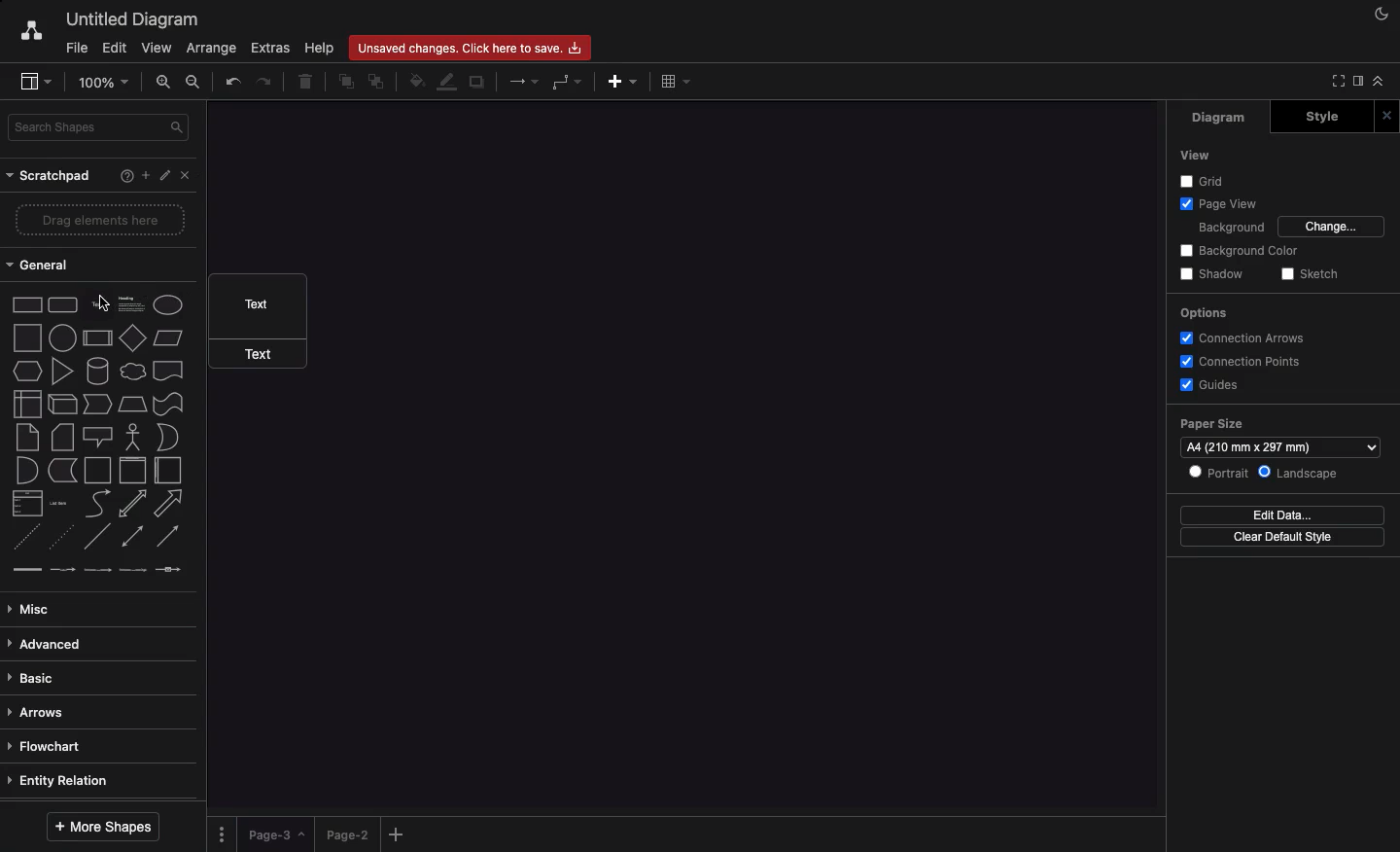  What do you see at coordinates (132, 471) in the screenshot?
I see `vertical container` at bounding box center [132, 471].